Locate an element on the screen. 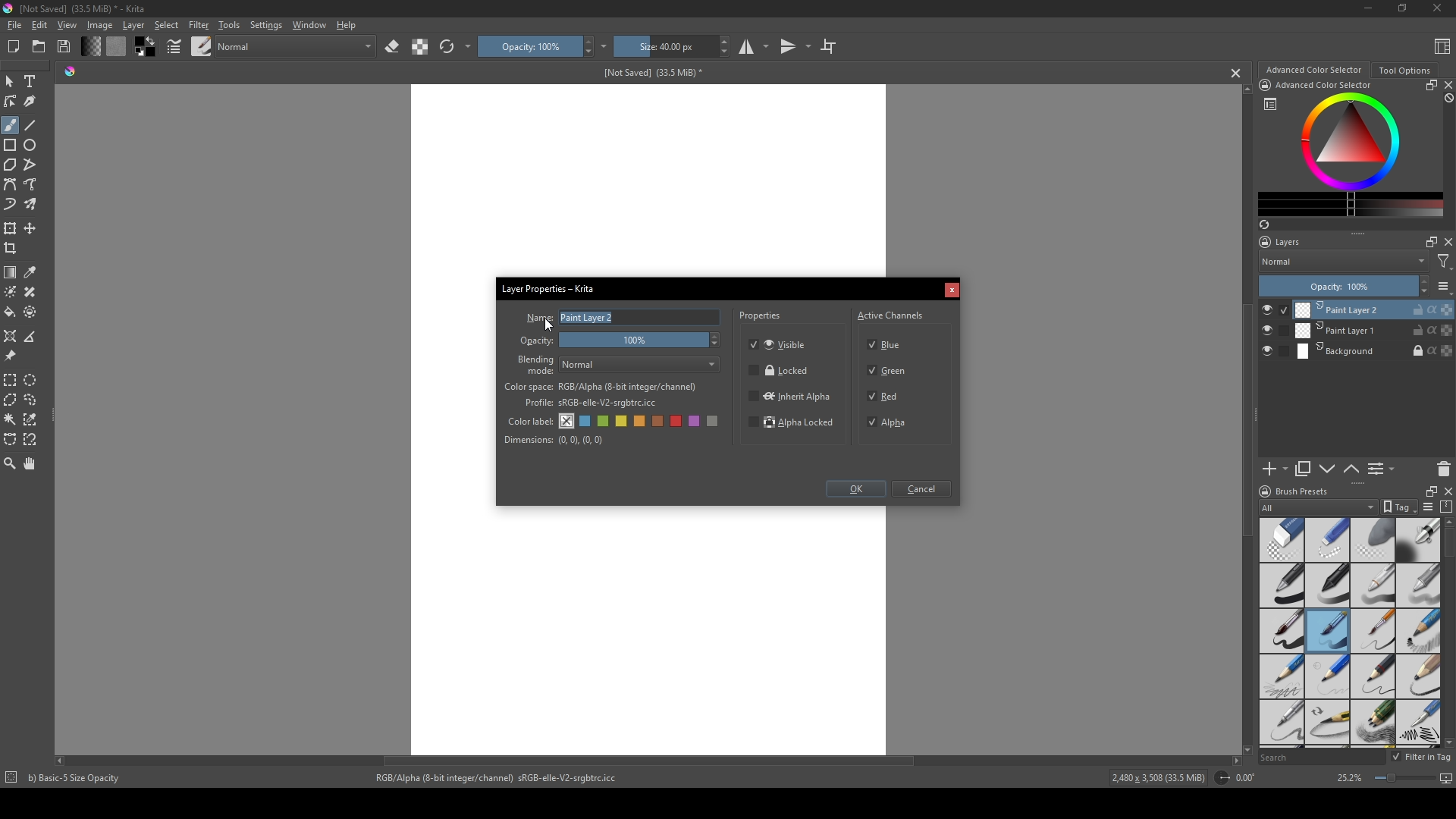 The height and width of the screenshot is (819, 1456). Dimensions (0,0),(0,0) is located at coordinates (554, 440).